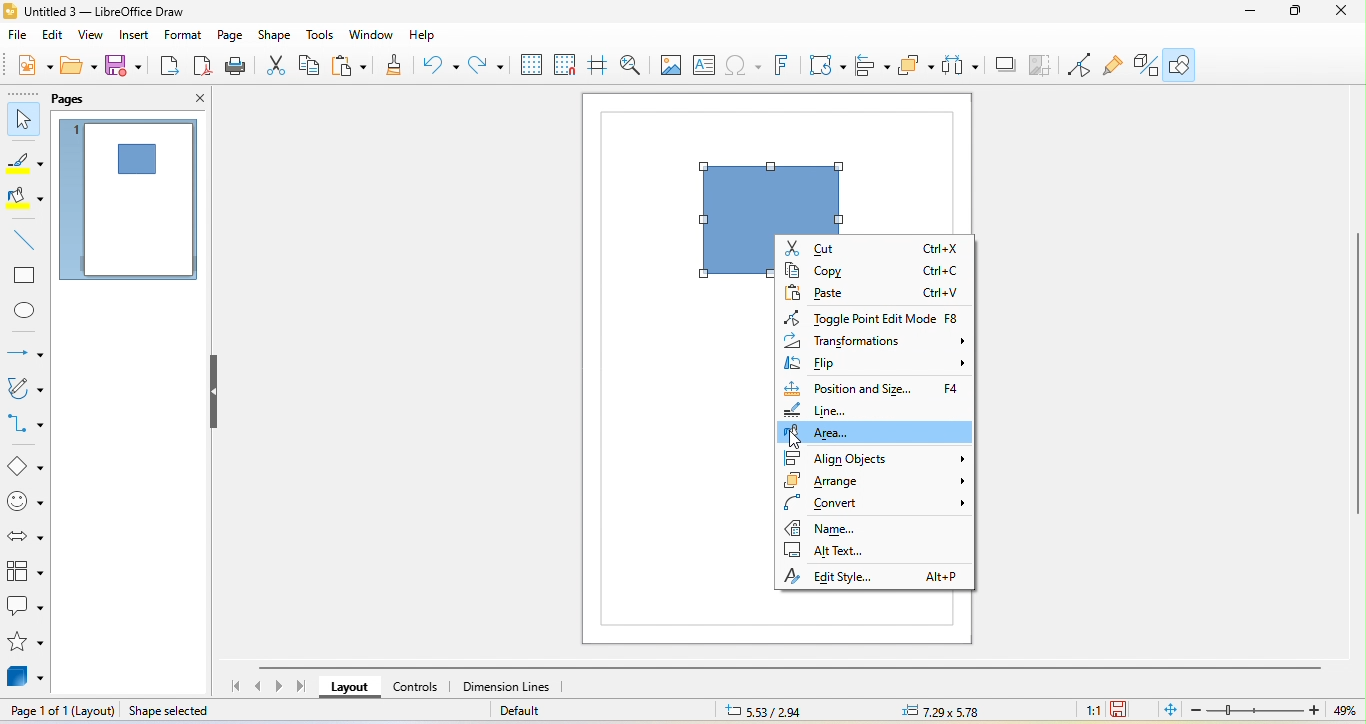 This screenshot has width=1366, height=724. What do you see at coordinates (78, 100) in the screenshot?
I see `pages` at bounding box center [78, 100].